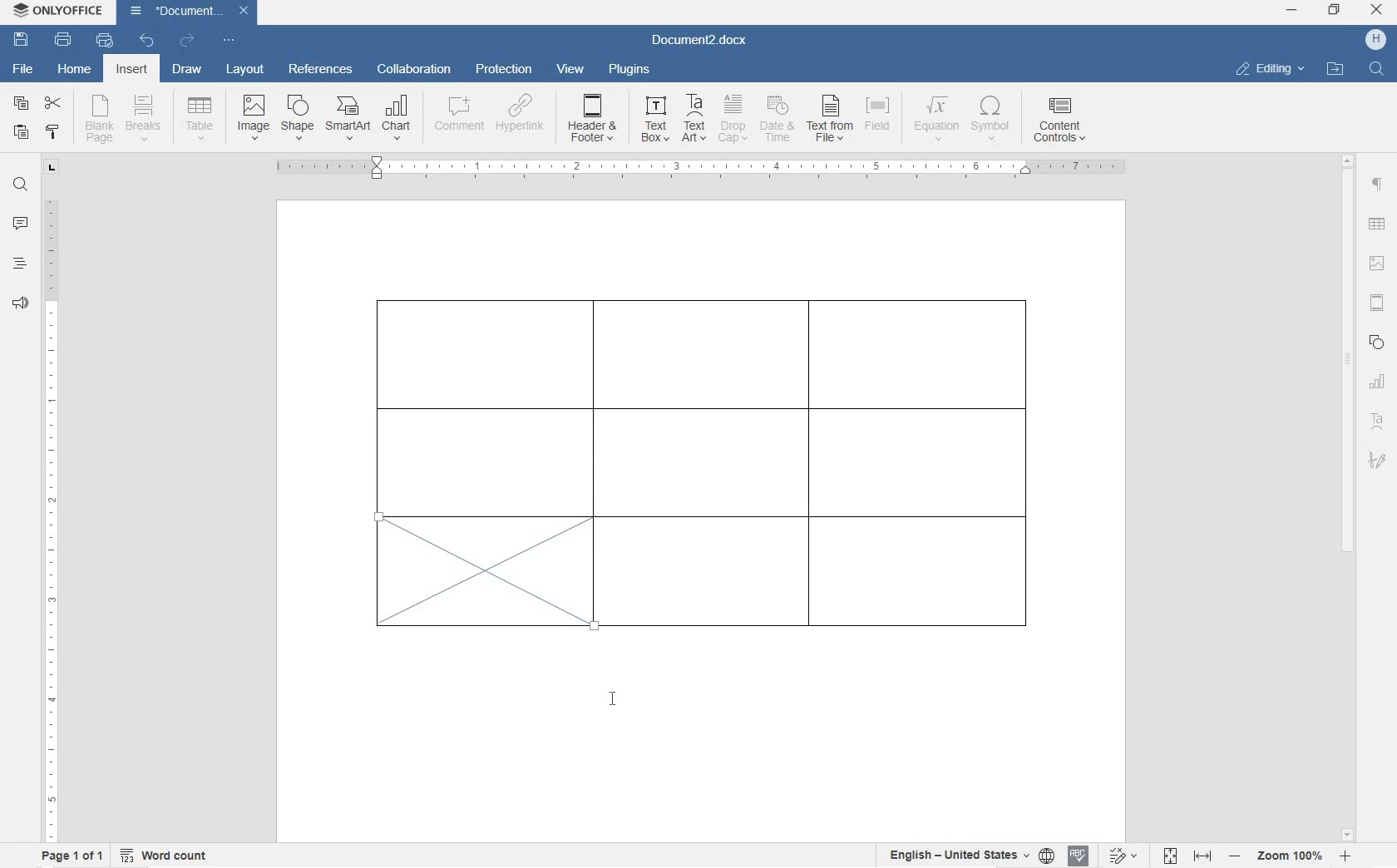 The image size is (1397, 868). Describe the element at coordinates (228, 40) in the screenshot. I see `customize quick access toolbar` at that location.